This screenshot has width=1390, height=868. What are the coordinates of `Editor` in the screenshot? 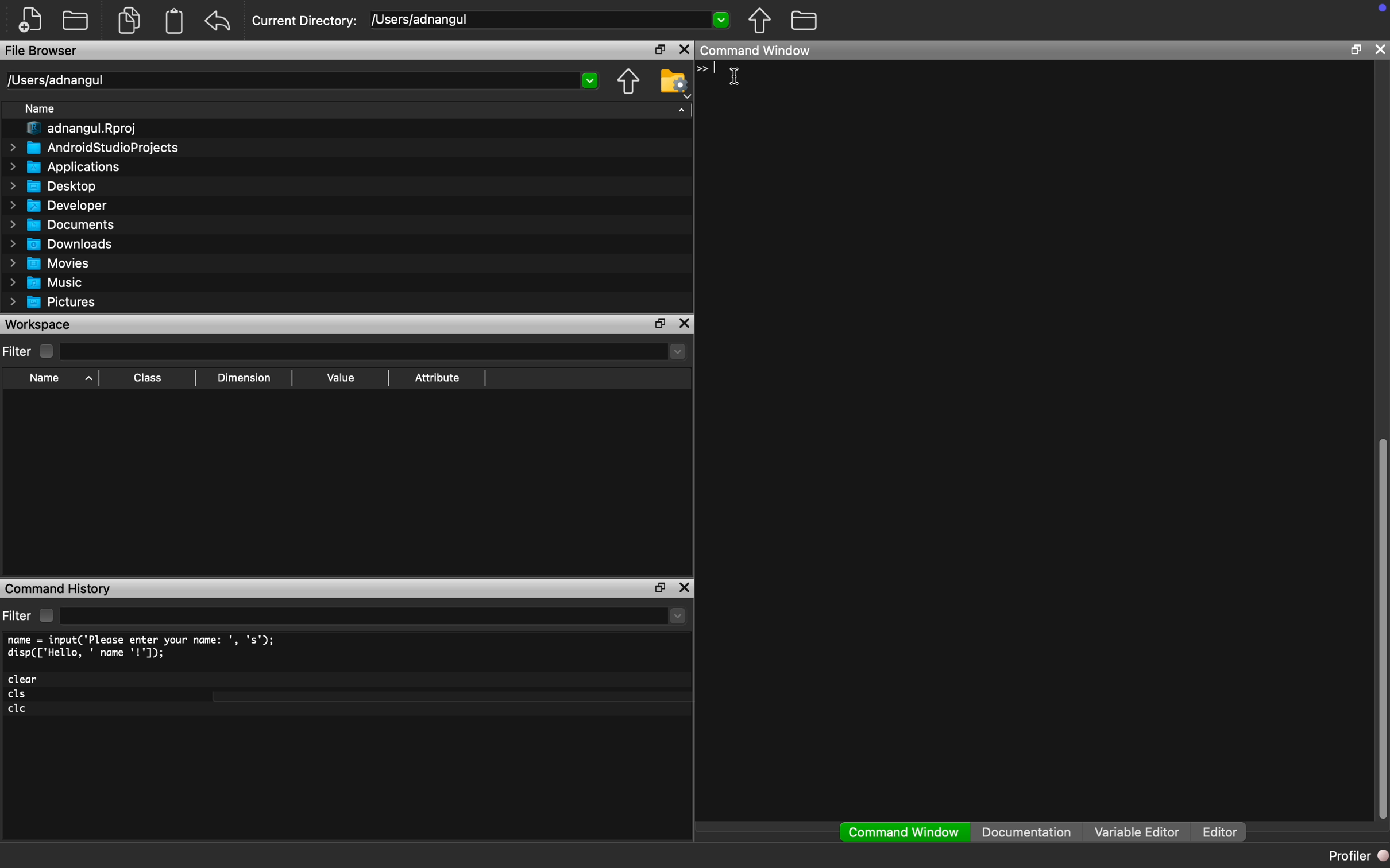 It's located at (1225, 832).